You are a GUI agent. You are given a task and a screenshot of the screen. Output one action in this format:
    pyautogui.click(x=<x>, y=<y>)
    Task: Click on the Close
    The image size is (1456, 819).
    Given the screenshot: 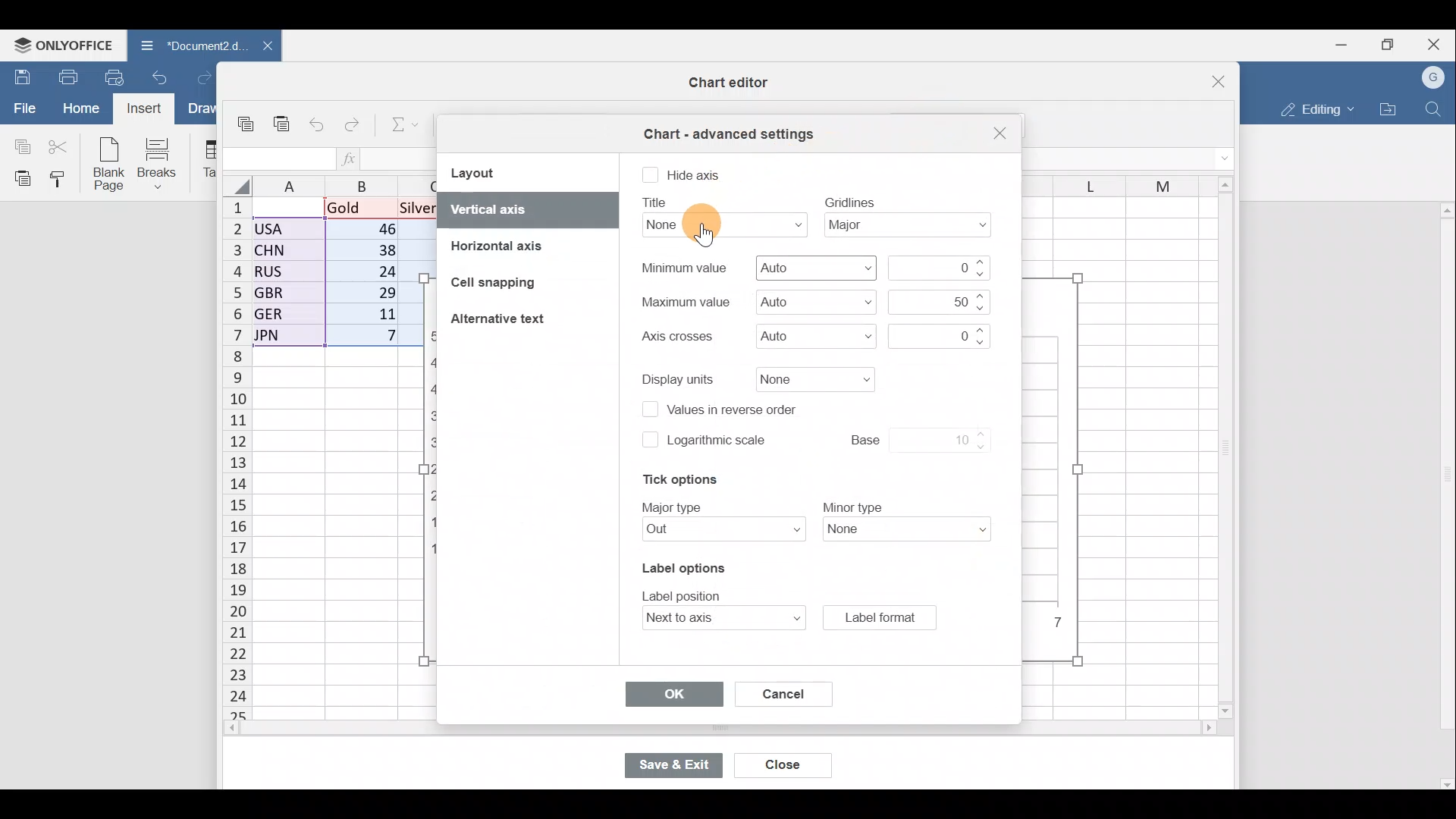 What is the action you would take?
    pyautogui.click(x=1209, y=76)
    